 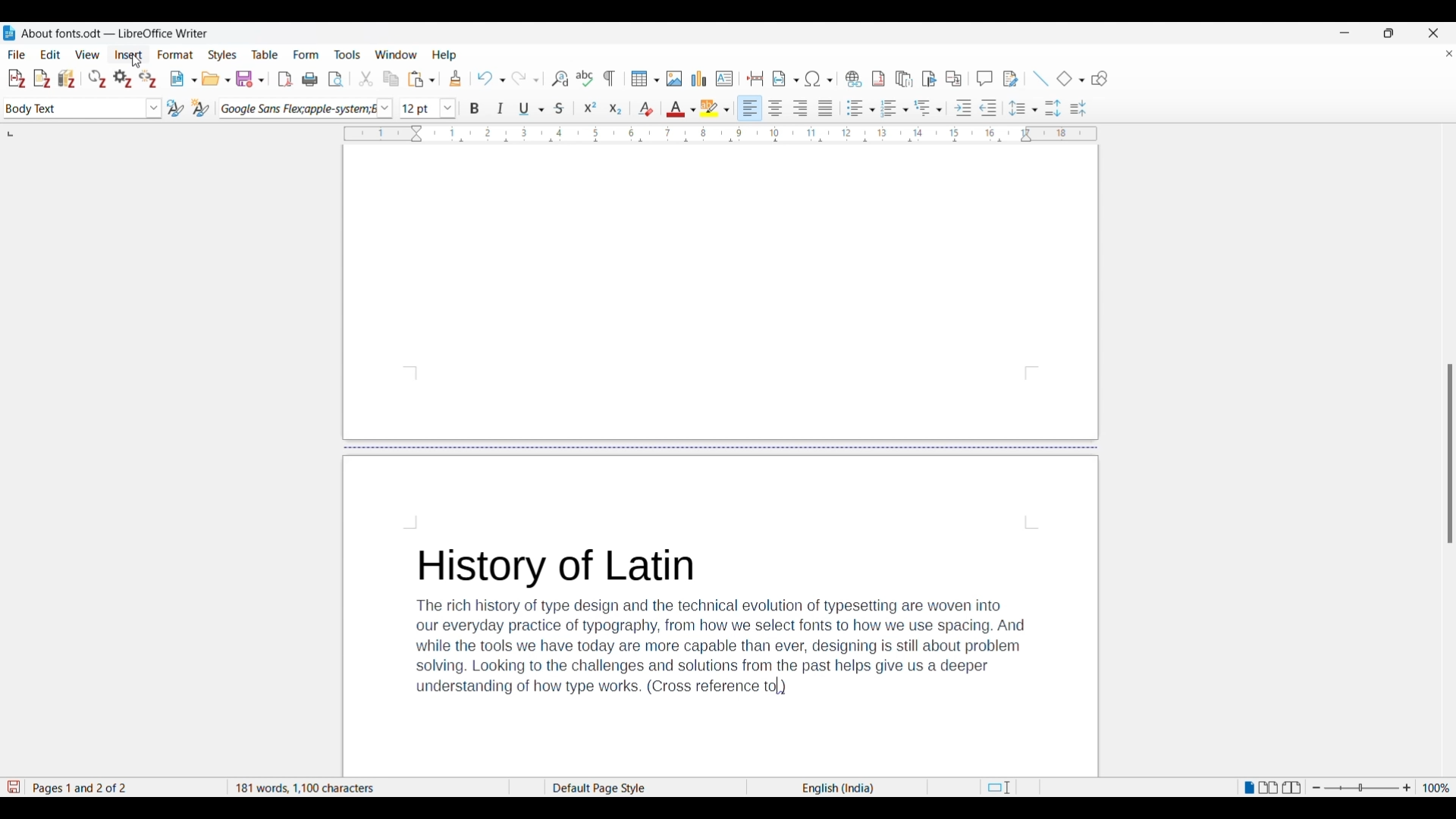 I want to click on Font options , so click(x=384, y=109).